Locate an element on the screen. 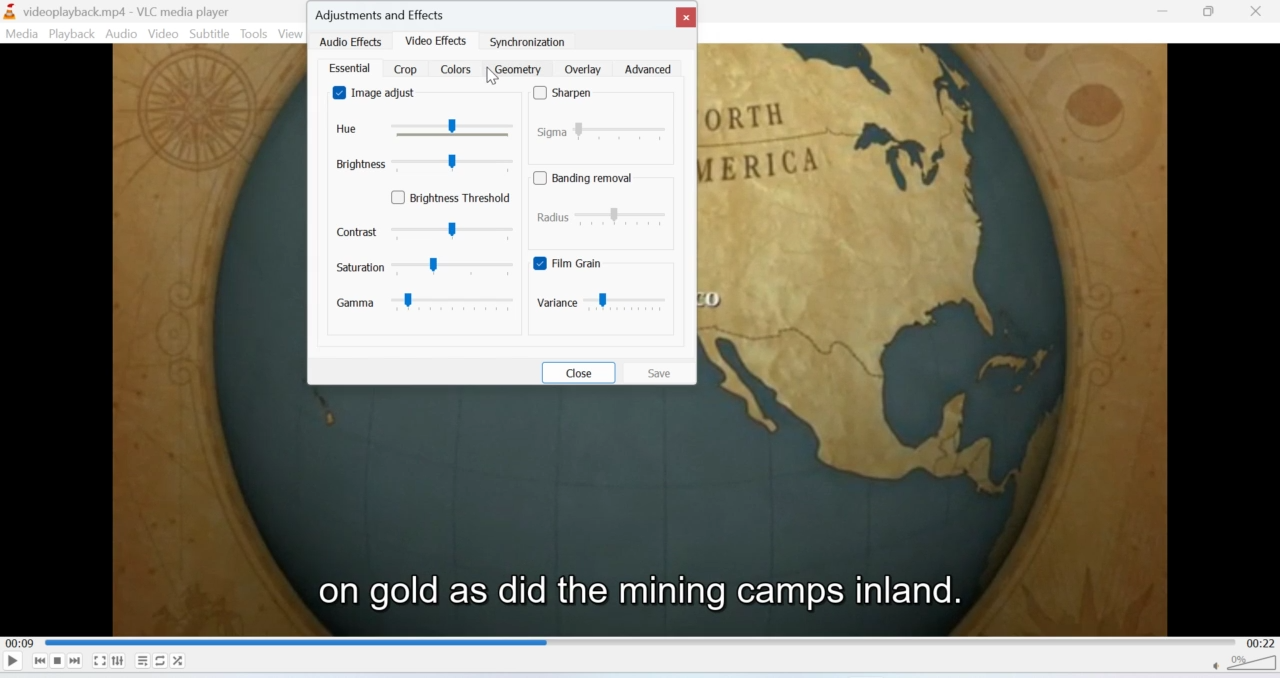 Image resolution: width=1280 pixels, height=678 pixels. gamma is located at coordinates (433, 303).